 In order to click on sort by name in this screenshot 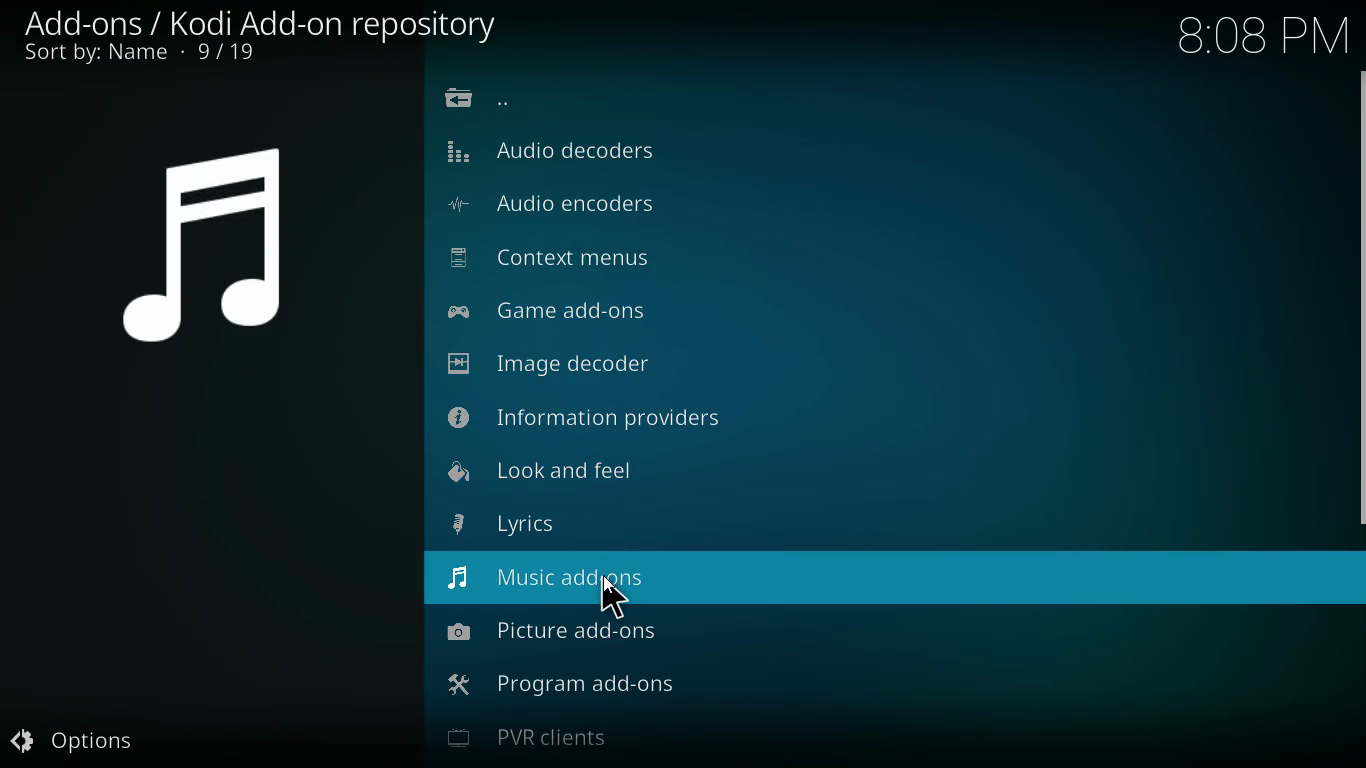, I will do `click(149, 53)`.